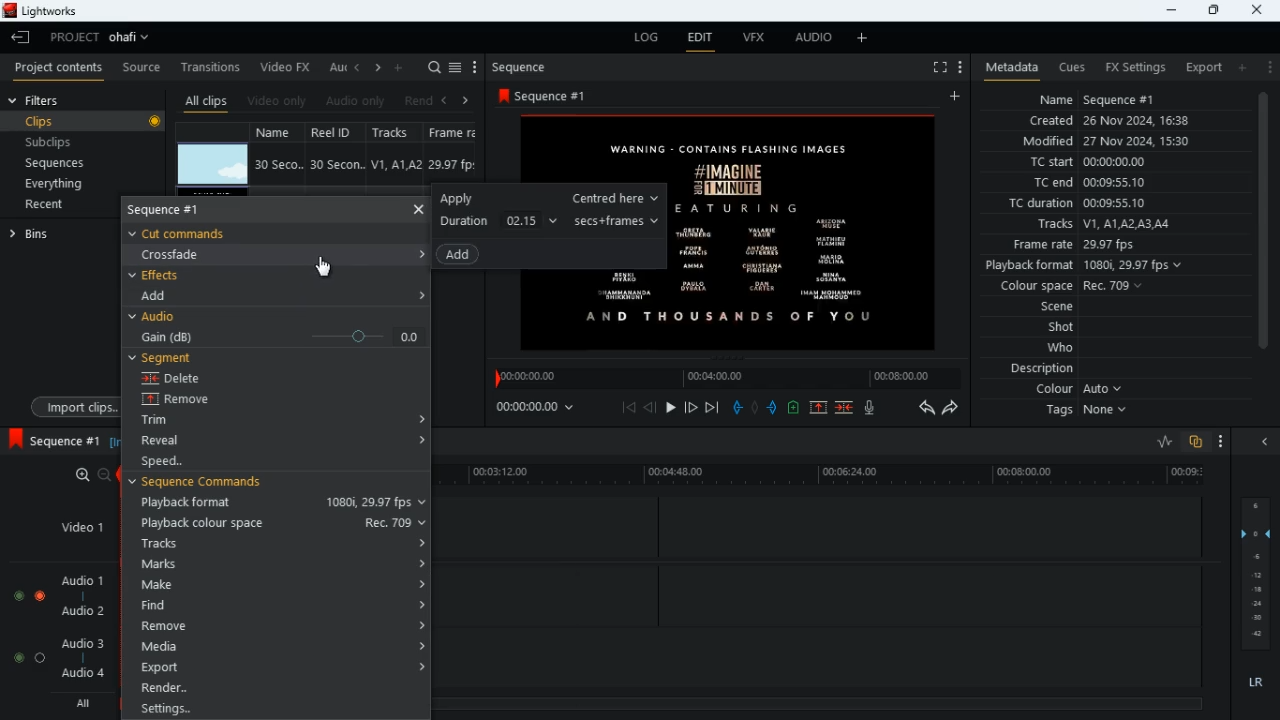 The width and height of the screenshot is (1280, 720). What do you see at coordinates (737, 407) in the screenshot?
I see `pull` at bounding box center [737, 407].